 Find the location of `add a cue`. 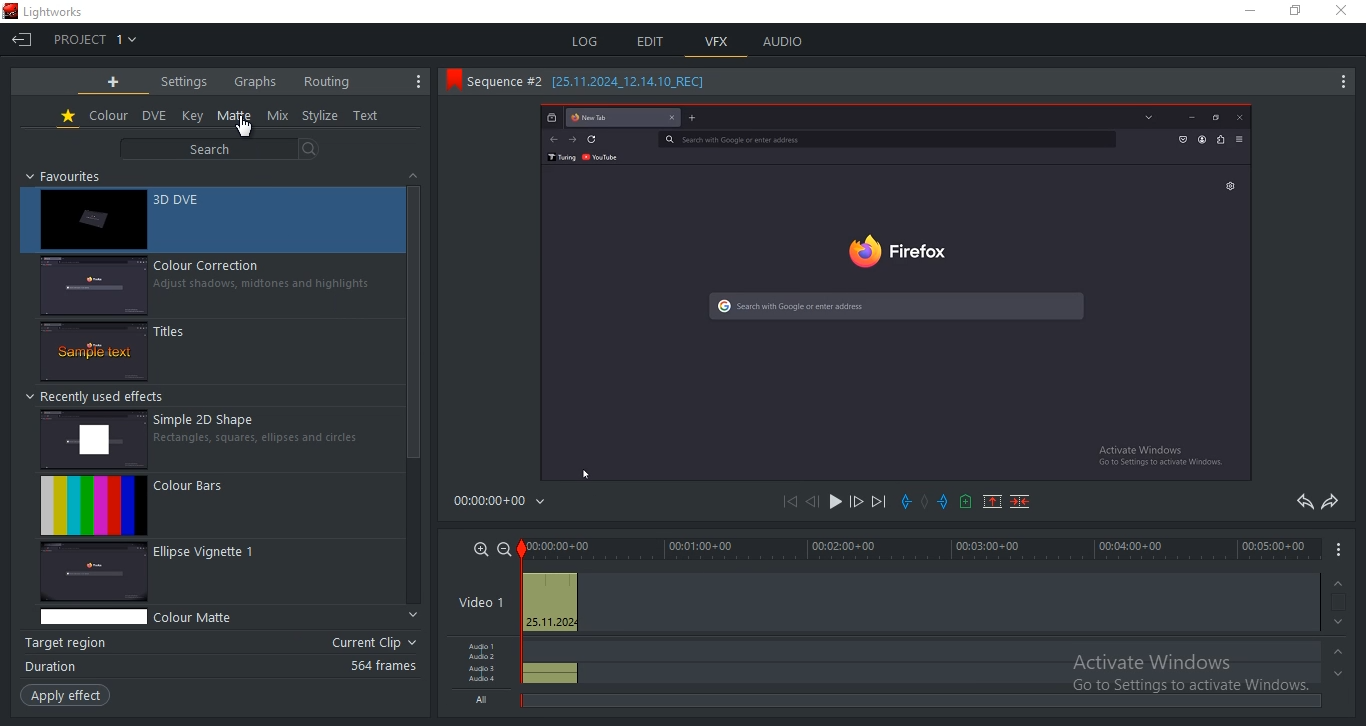

add a cue is located at coordinates (964, 503).